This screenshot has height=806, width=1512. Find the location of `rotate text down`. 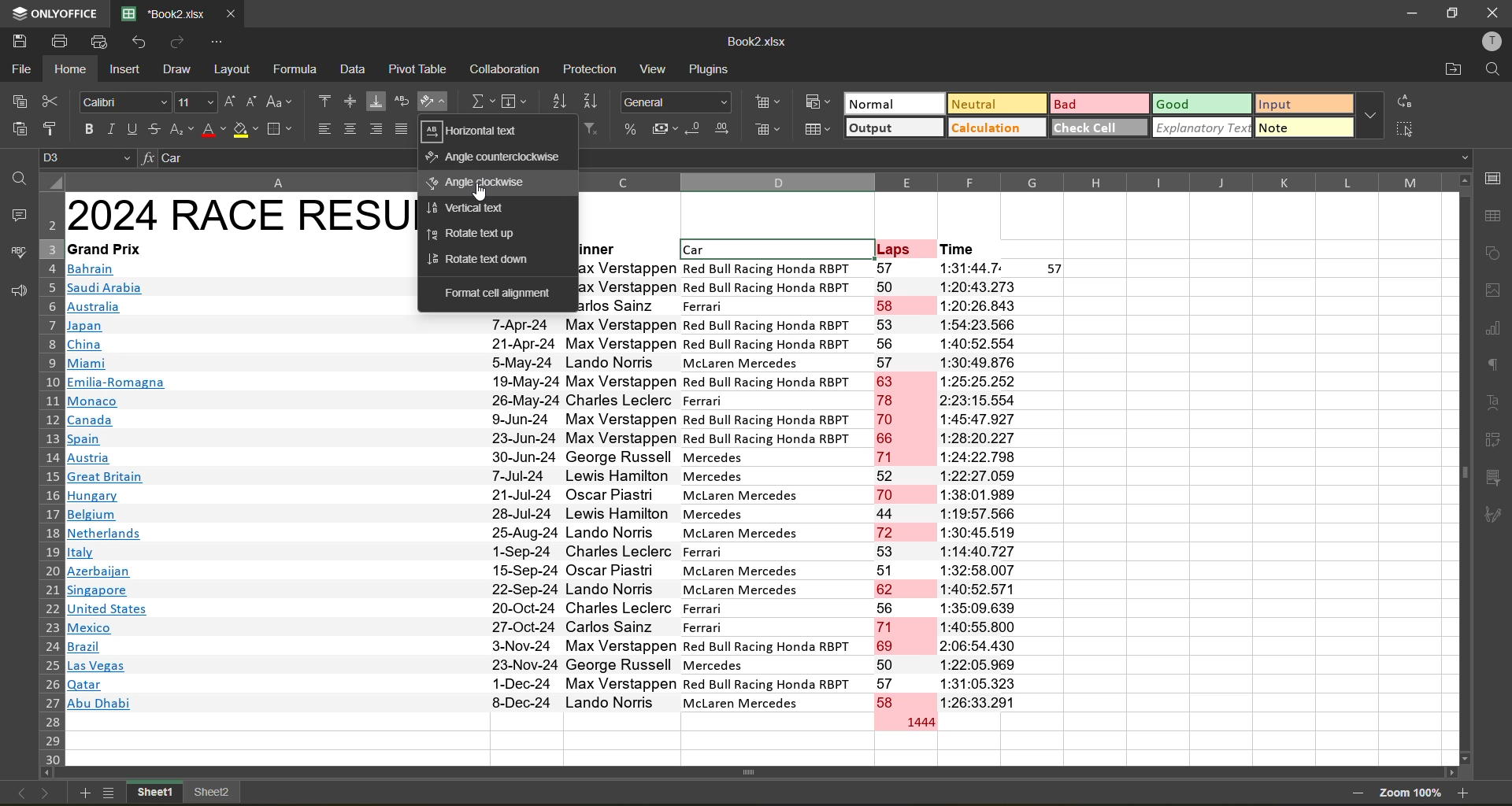

rotate text down is located at coordinates (480, 261).